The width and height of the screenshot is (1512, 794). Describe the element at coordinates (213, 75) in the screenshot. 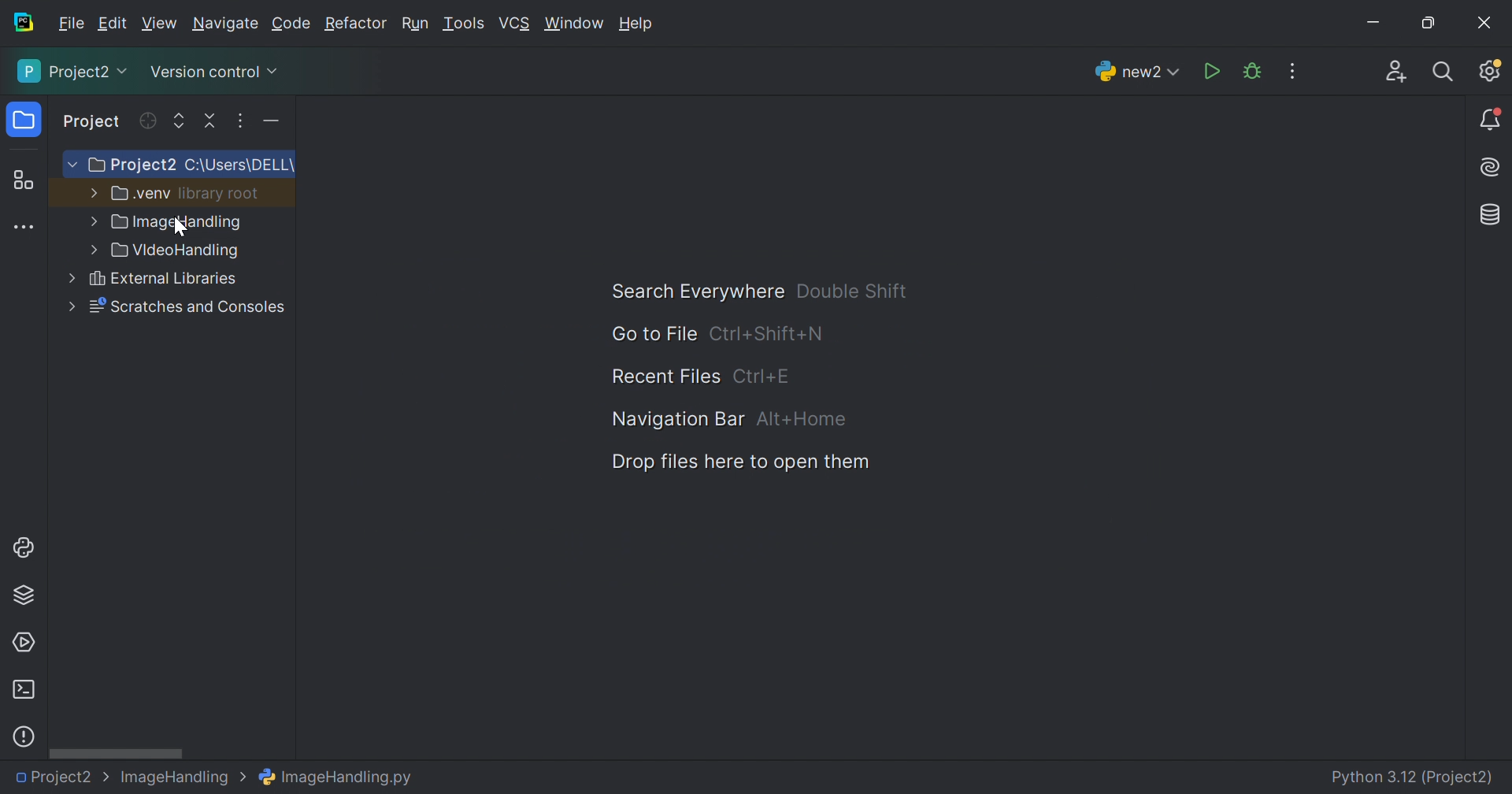

I see `Version control` at that location.